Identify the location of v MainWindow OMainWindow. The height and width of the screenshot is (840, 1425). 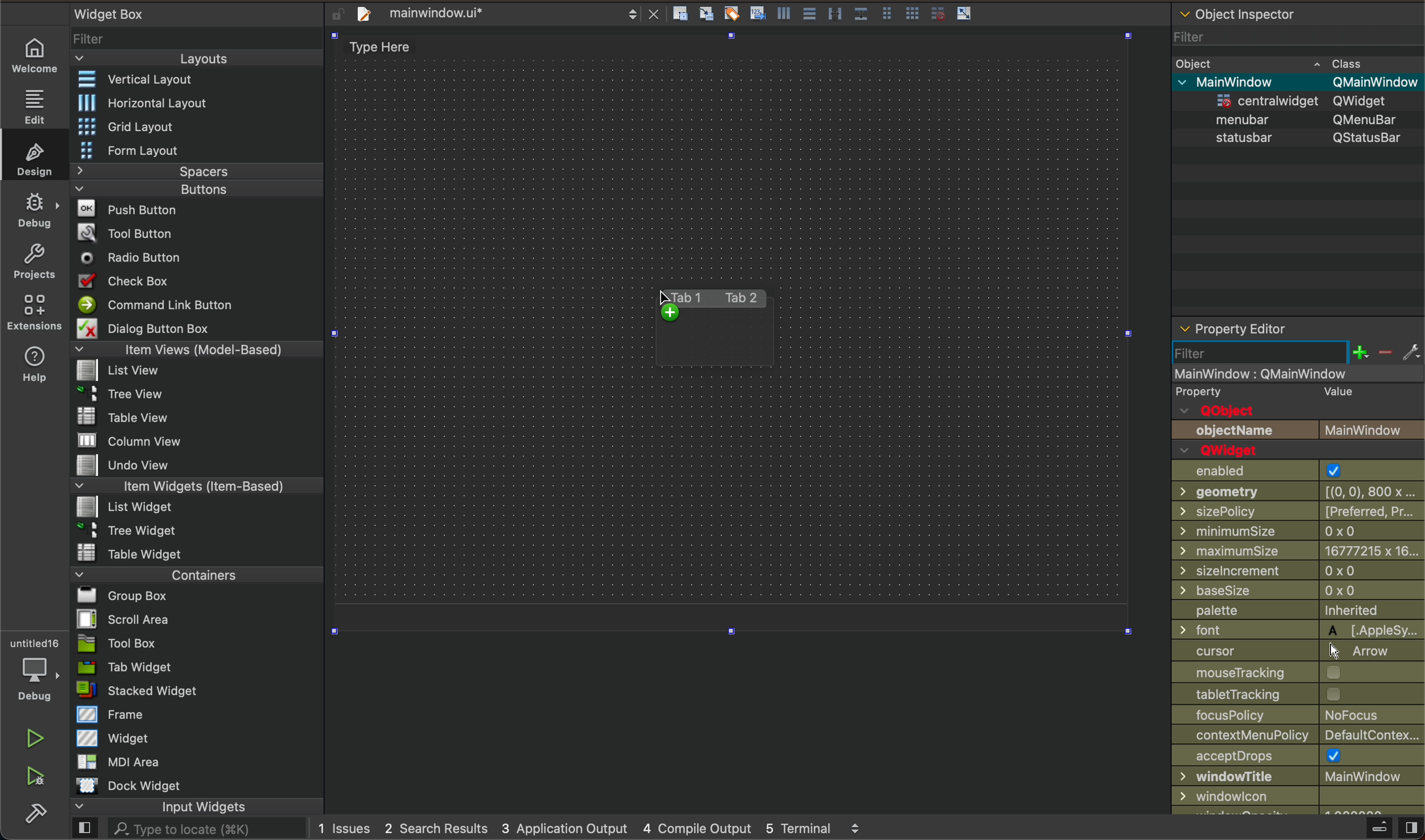
(1299, 80).